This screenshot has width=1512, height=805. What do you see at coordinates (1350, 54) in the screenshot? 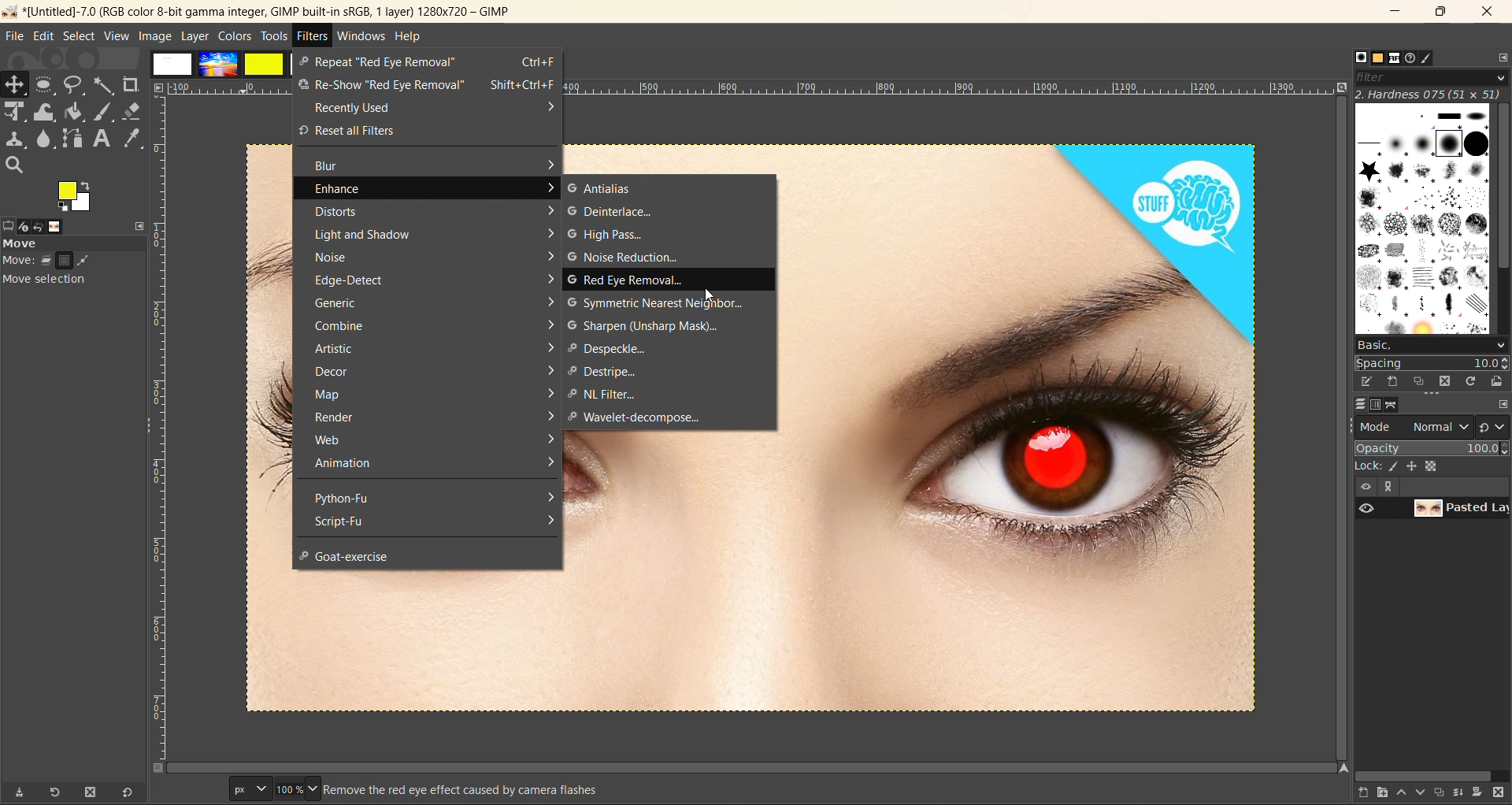
I see `` at bounding box center [1350, 54].